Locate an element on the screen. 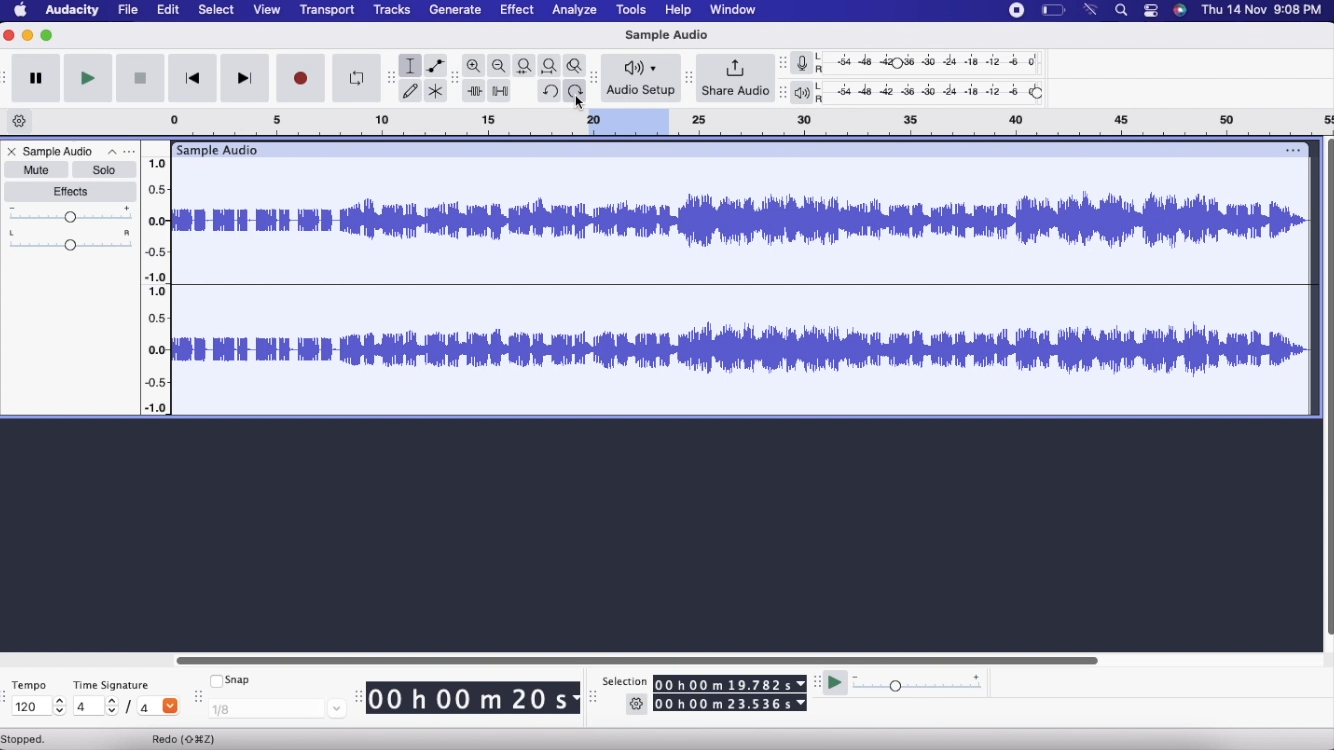 This screenshot has width=1334, height=750. Gain Slider is located at coordinates (70, 215).